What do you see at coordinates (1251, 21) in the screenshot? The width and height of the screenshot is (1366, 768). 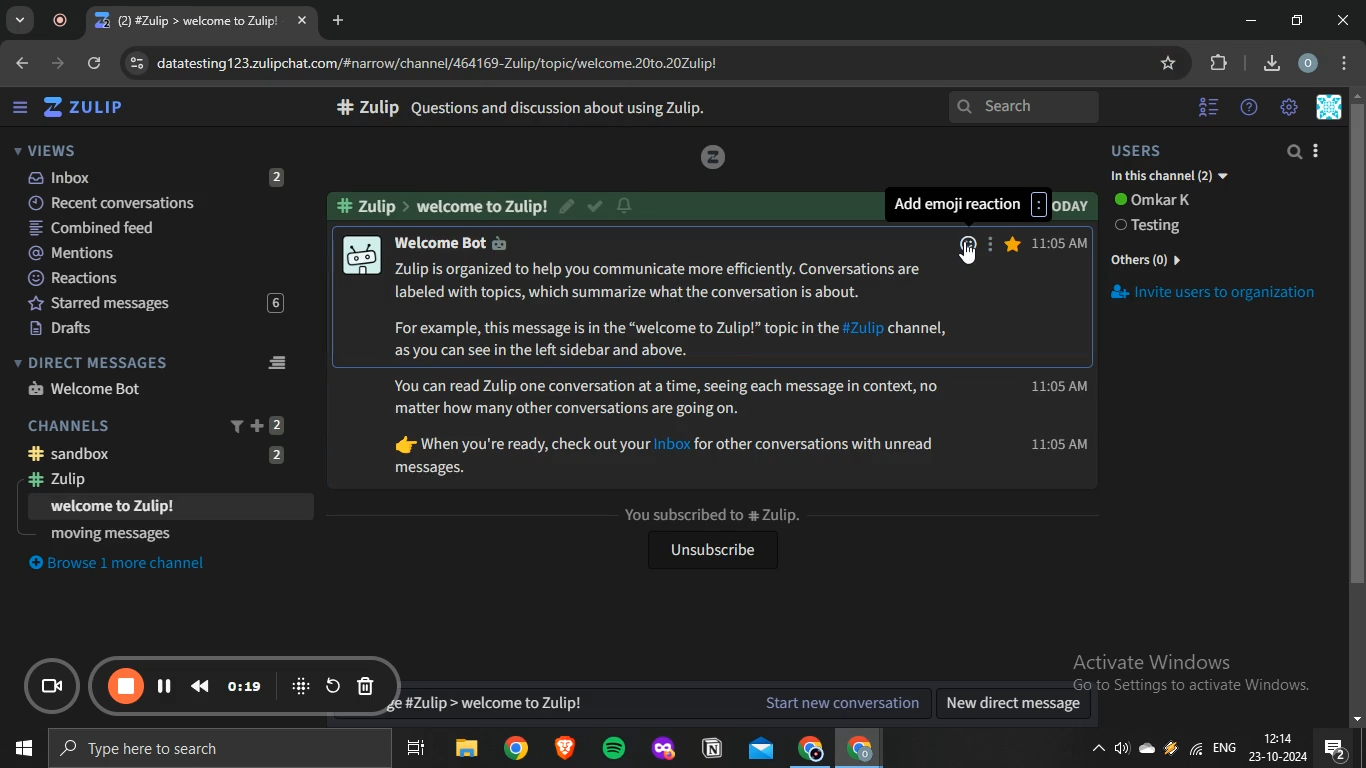 I see `minimize` at bounding box center [1251, 21].